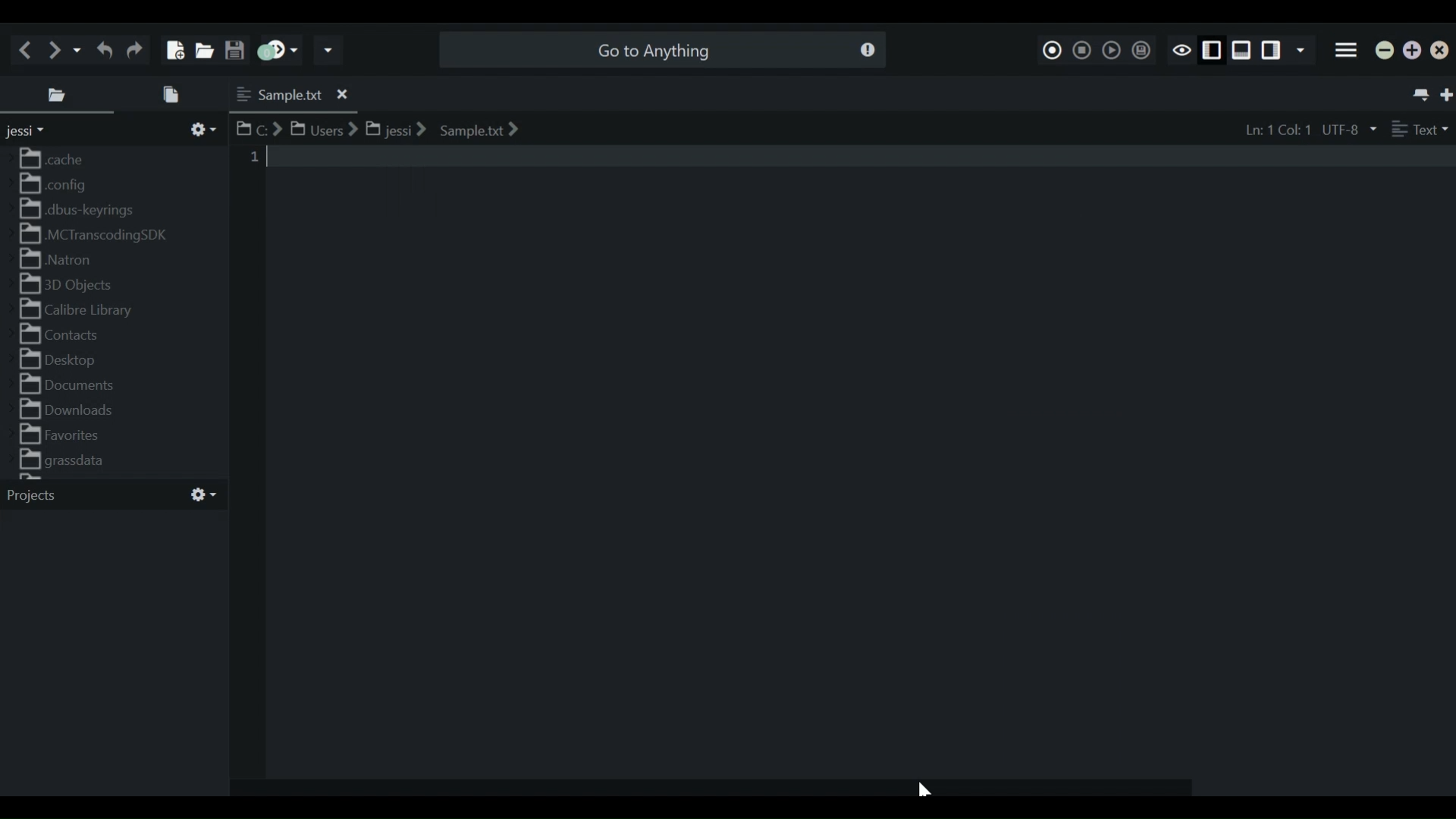 This screenshot has height=819, width=1456. Describe the element at coordinates (102, 49) in the screenshot. I see `undo` at that location.